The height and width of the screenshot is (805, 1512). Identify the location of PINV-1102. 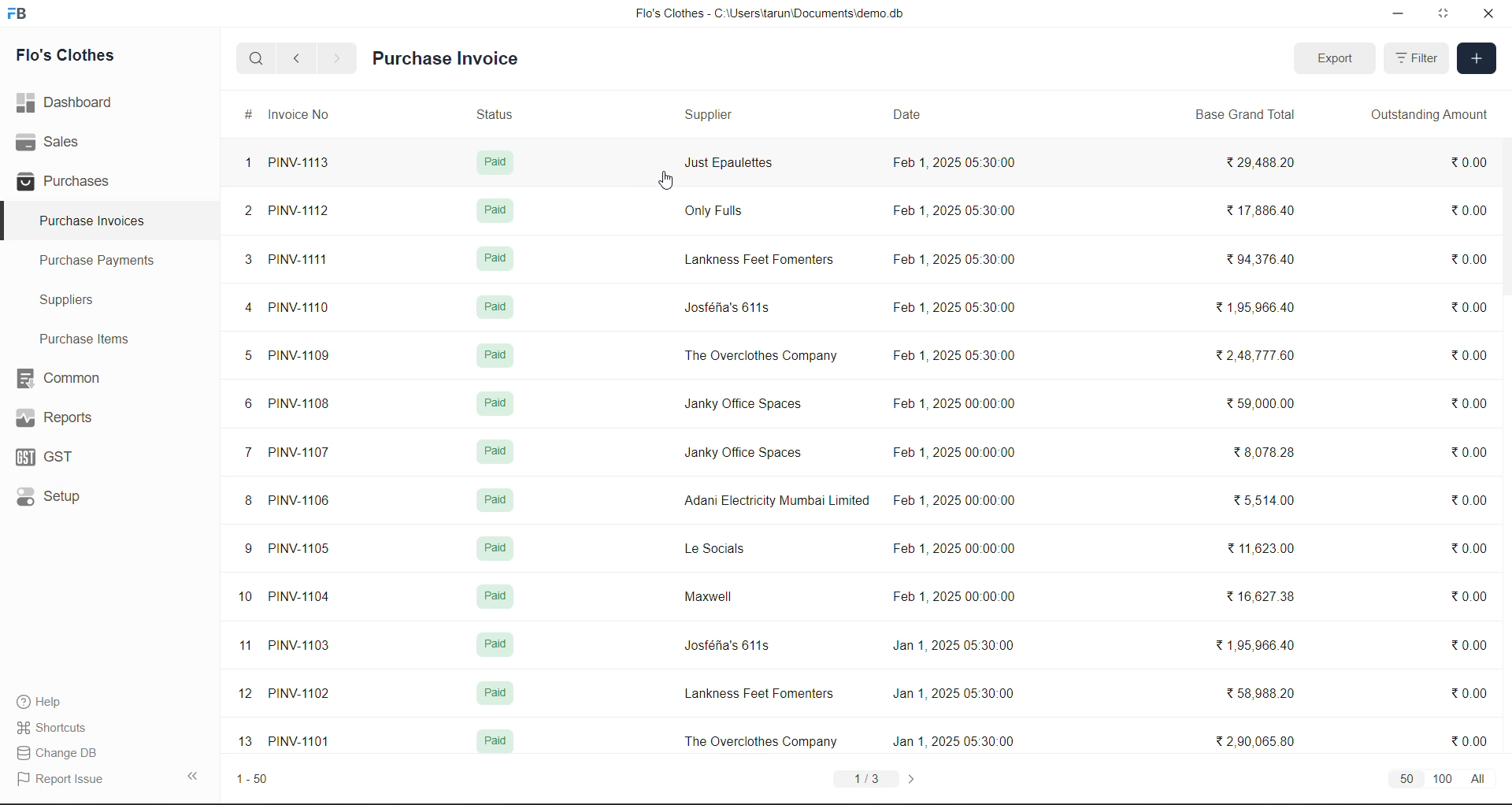
(302, 696).